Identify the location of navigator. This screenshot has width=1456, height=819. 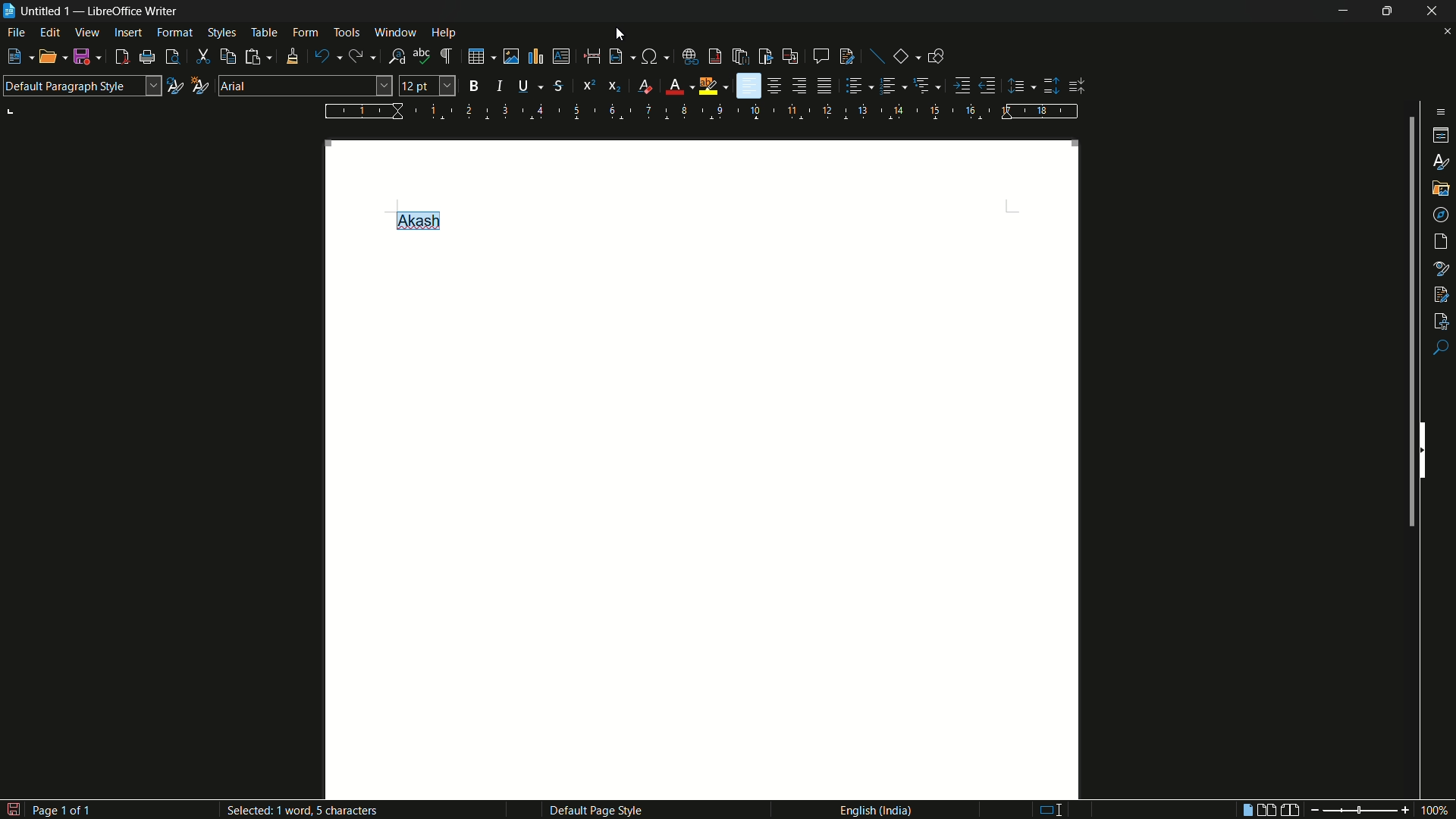
(1442, 214).